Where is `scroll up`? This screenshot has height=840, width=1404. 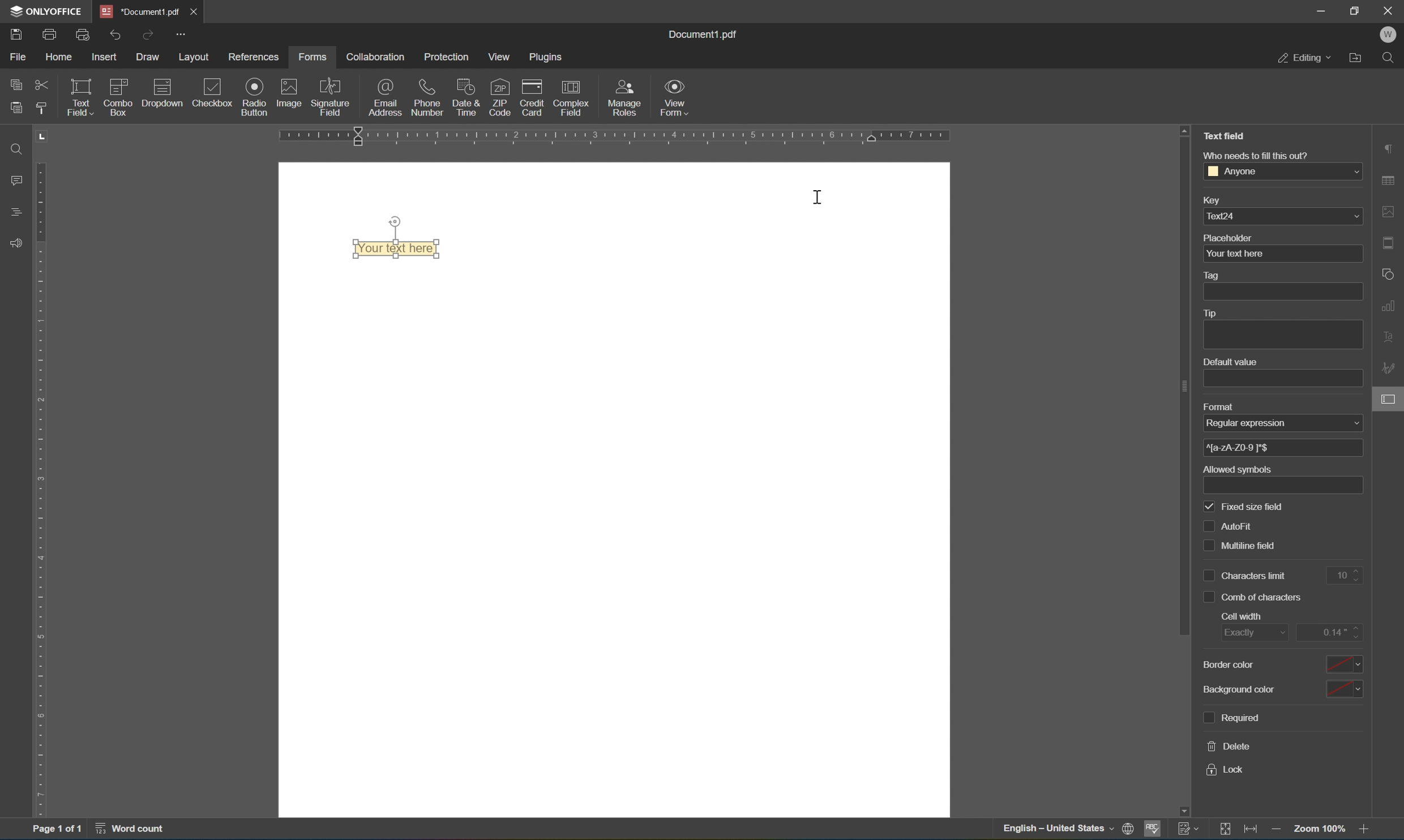
scroll up is located at coordinates (1184, 129).